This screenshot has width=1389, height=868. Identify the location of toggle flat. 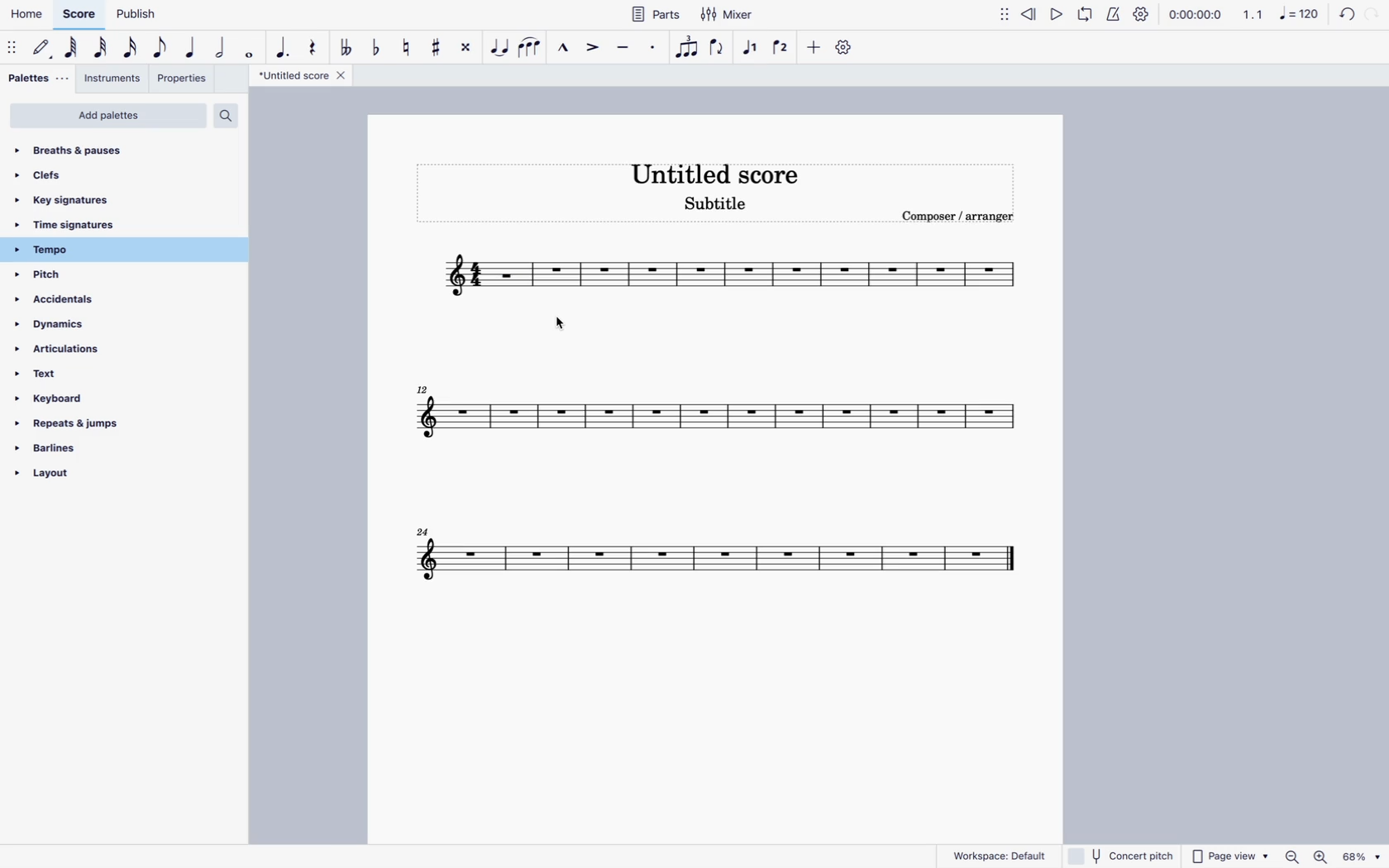
(377, 46).